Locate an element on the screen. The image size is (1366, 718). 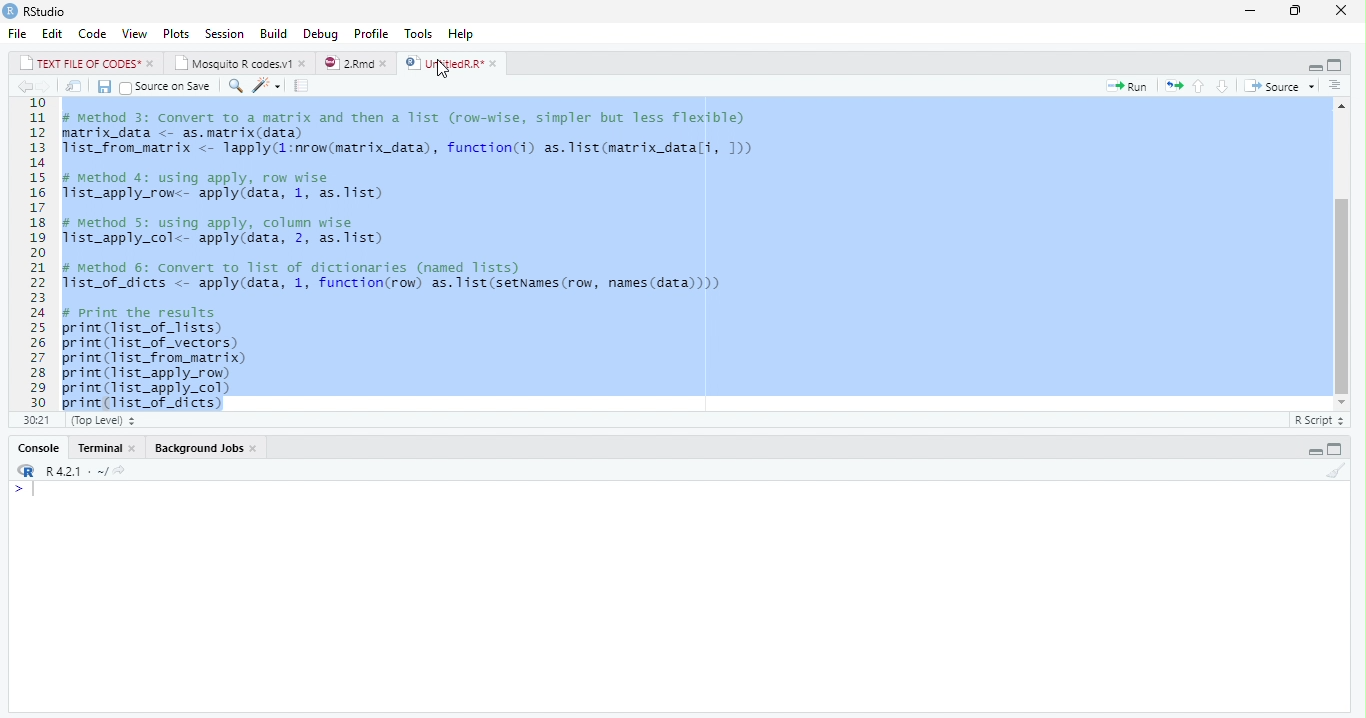
Full Height is located at coordinates (1338, 447).